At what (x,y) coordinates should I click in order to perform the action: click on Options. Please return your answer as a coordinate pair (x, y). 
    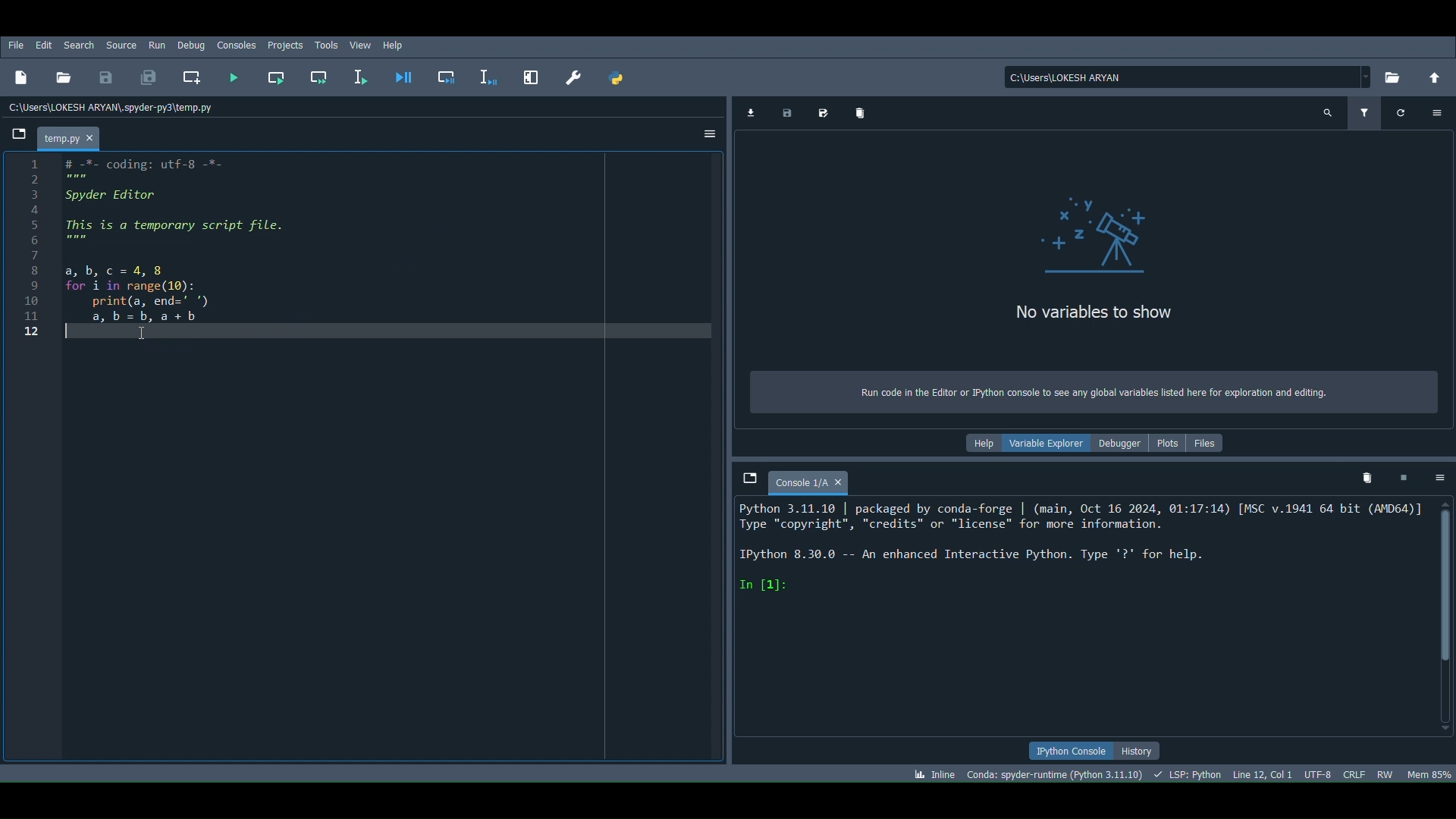
    Looking at the image, I should click on (1436, 115).